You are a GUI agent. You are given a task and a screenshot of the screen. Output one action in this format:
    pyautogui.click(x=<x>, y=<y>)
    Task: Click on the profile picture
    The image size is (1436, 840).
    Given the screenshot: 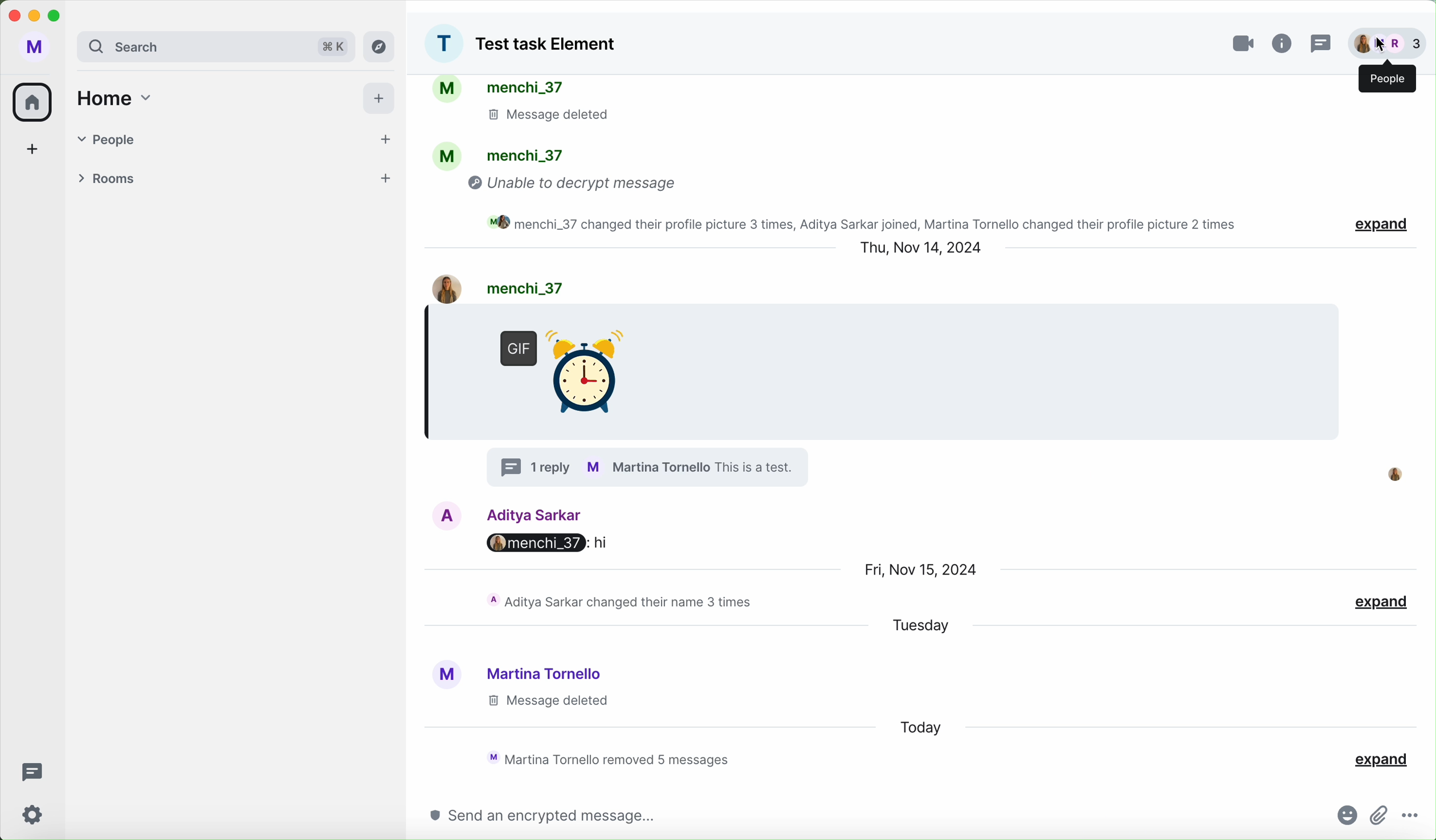 What is the action you would take?
    pyautogui.click(x=1394, y=474)
    